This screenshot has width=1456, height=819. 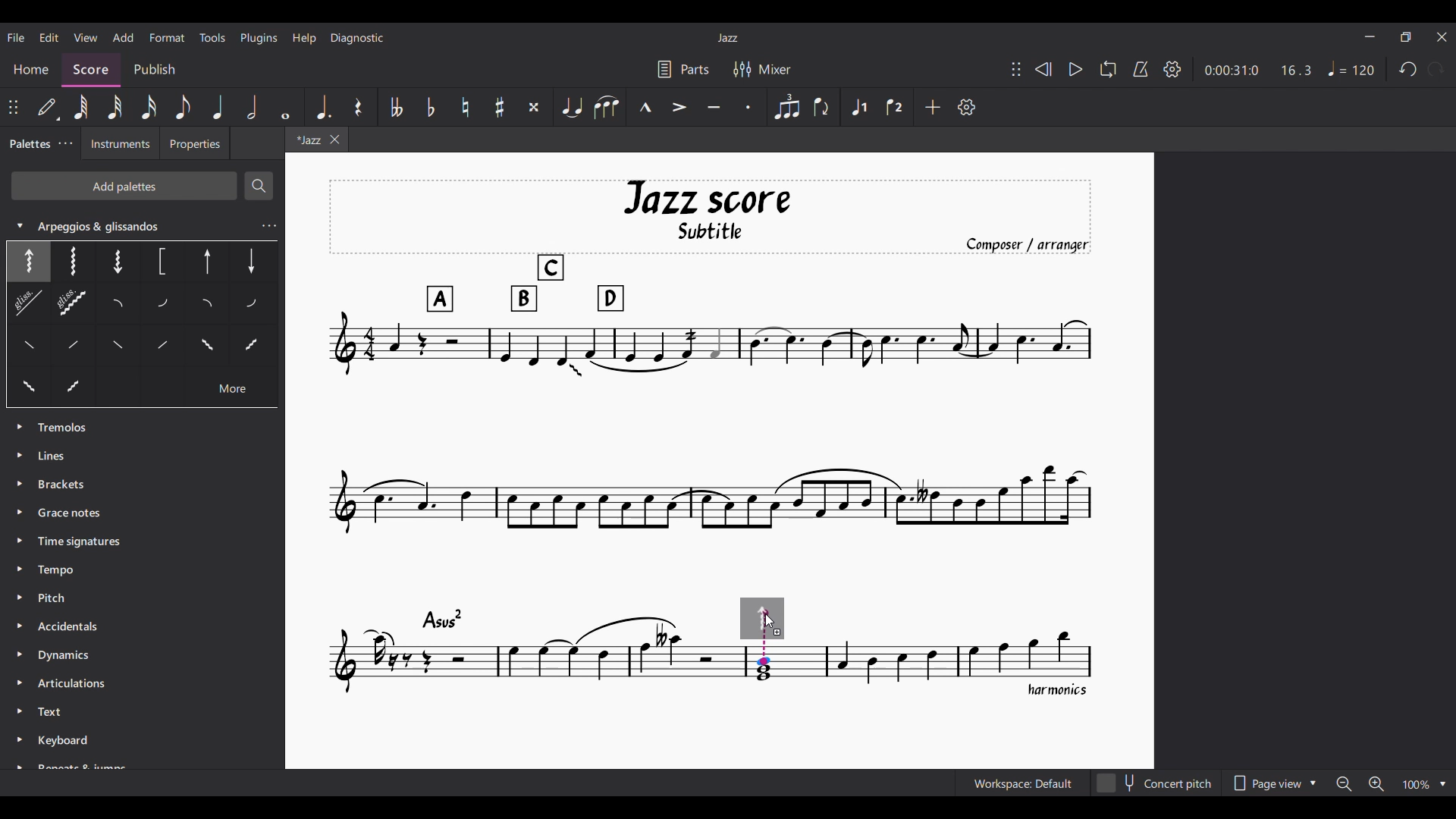 What do you see at coordinates (1043, 69) in the screenshot?
I see `Rewind` at bounding box center [1043, 69].